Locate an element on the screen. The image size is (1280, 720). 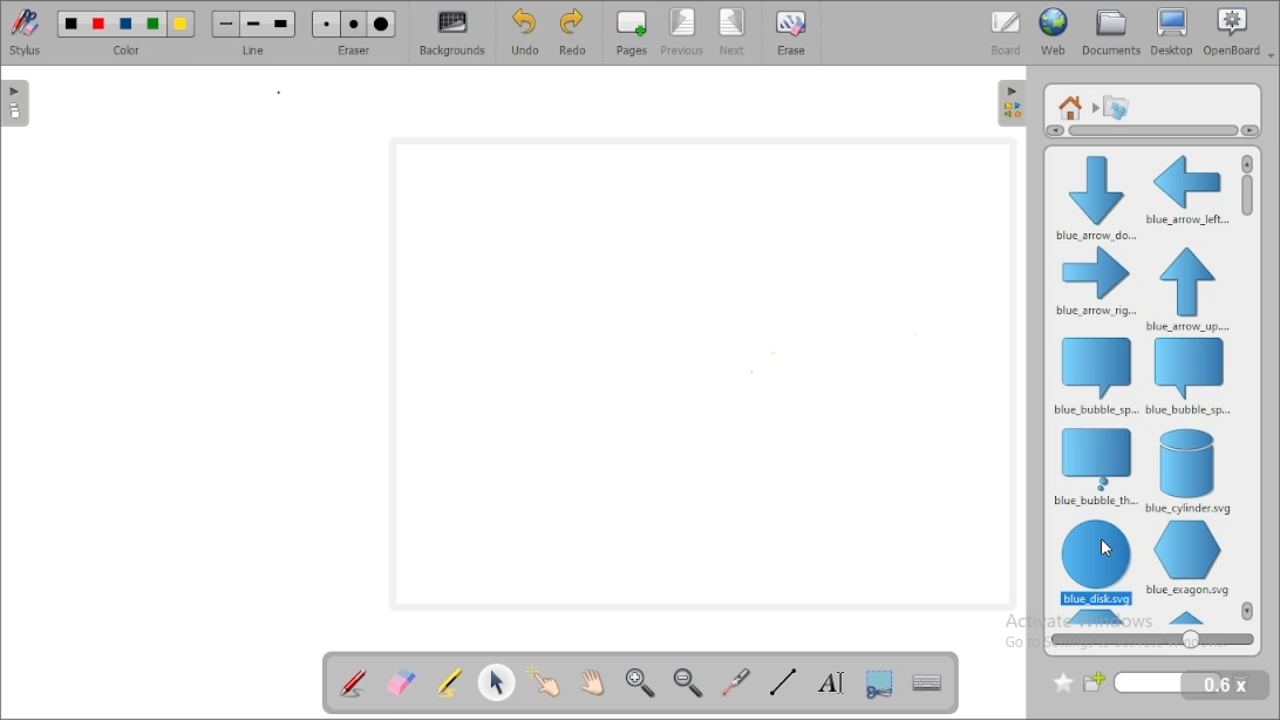
write text is located at coordinates (830, 681).